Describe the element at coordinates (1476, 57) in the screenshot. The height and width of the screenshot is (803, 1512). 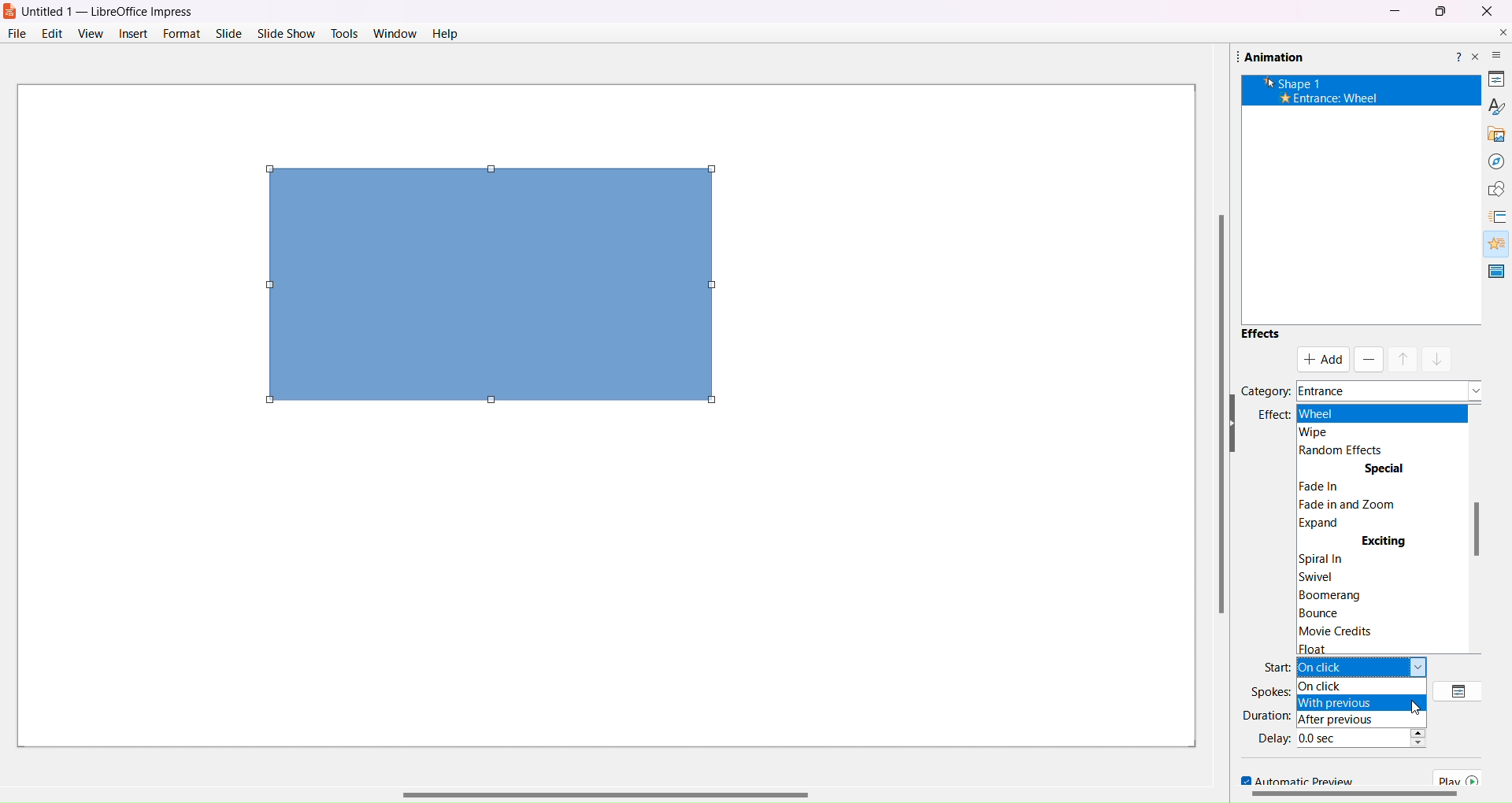
I see `Close Pane` at that location.